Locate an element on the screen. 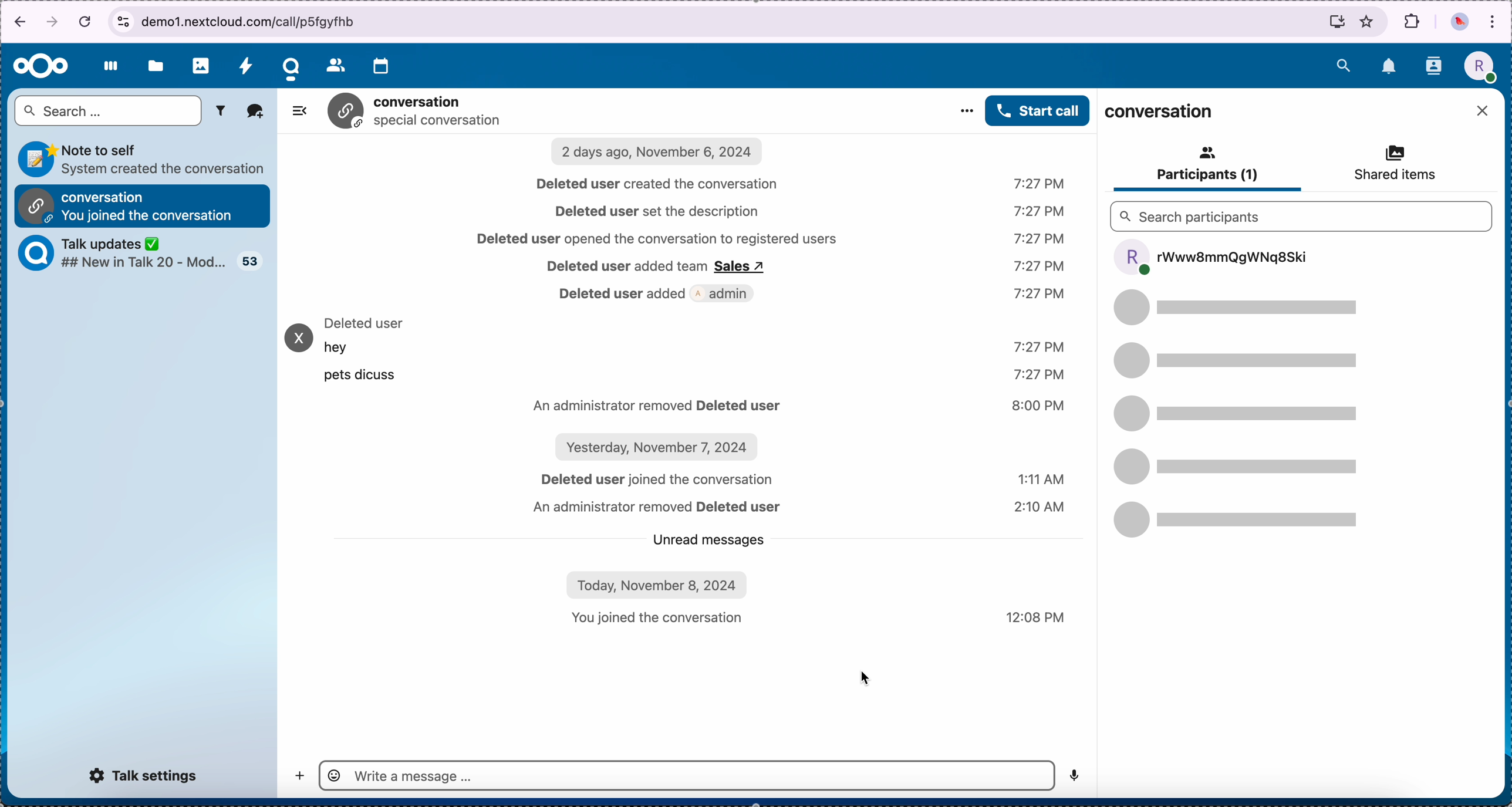  time is located at coordinates (1040, 268).